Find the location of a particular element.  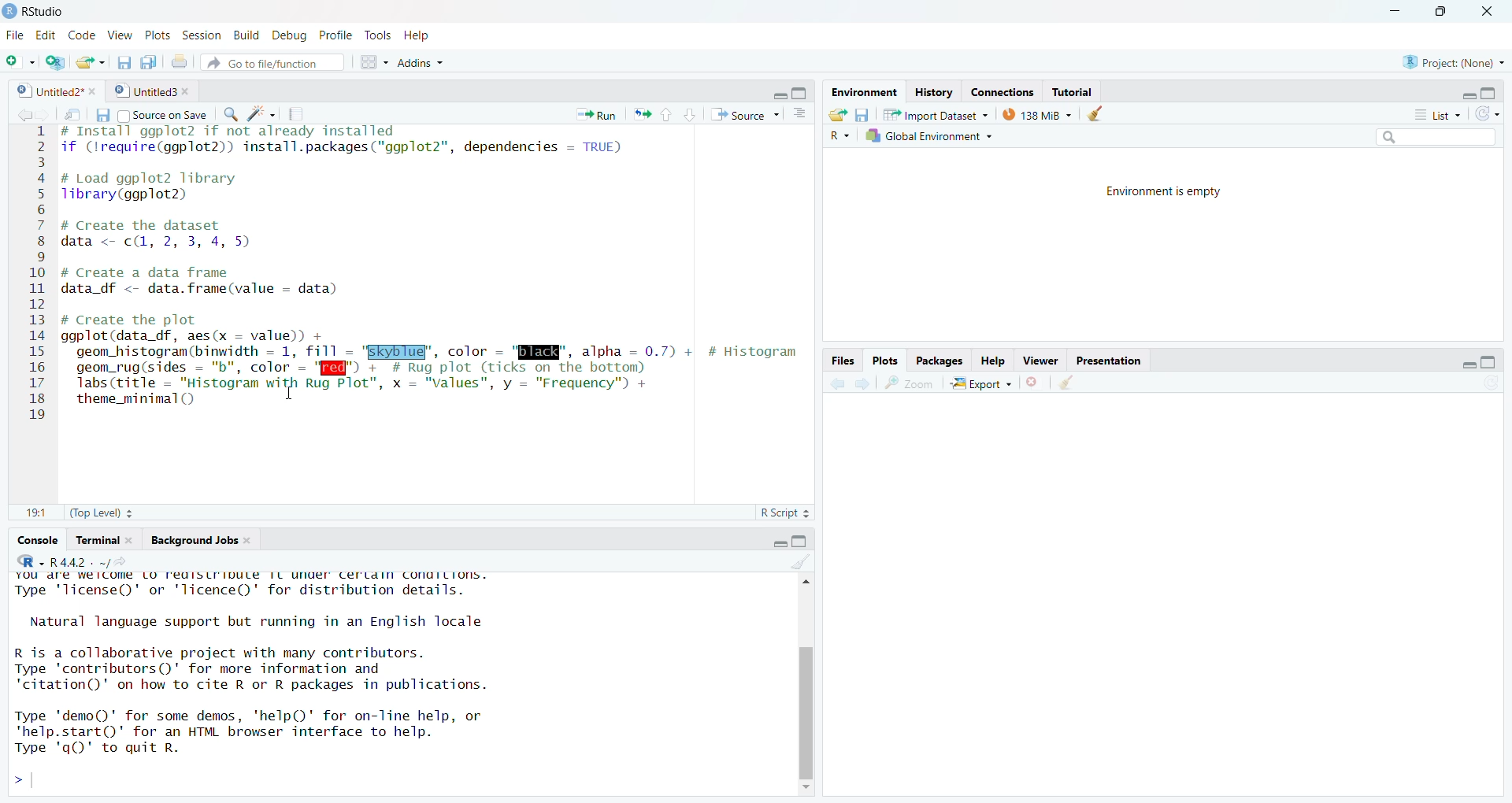

Print current doc is located at coordinates (182, 63).